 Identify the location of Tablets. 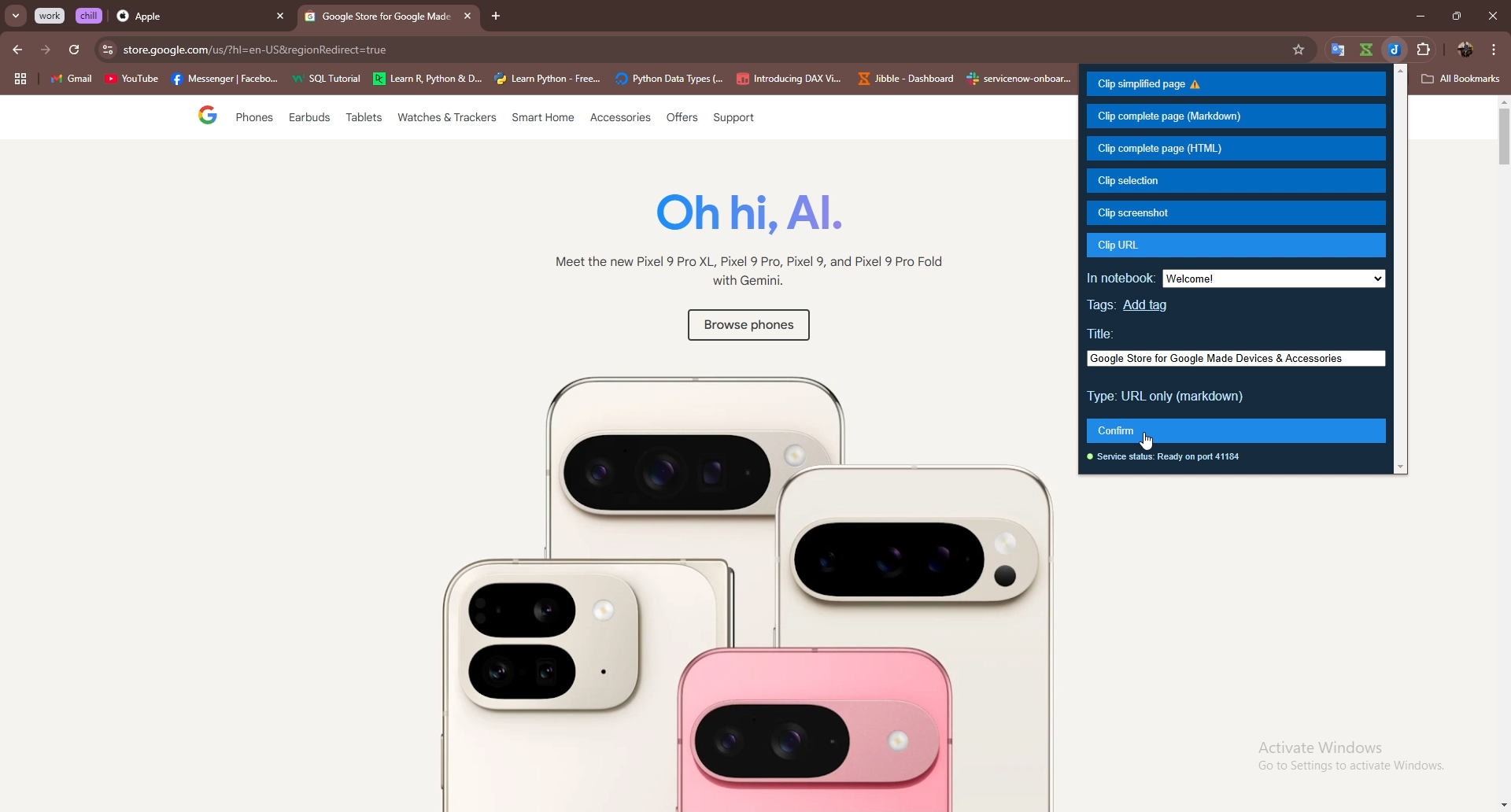
(363, 120).